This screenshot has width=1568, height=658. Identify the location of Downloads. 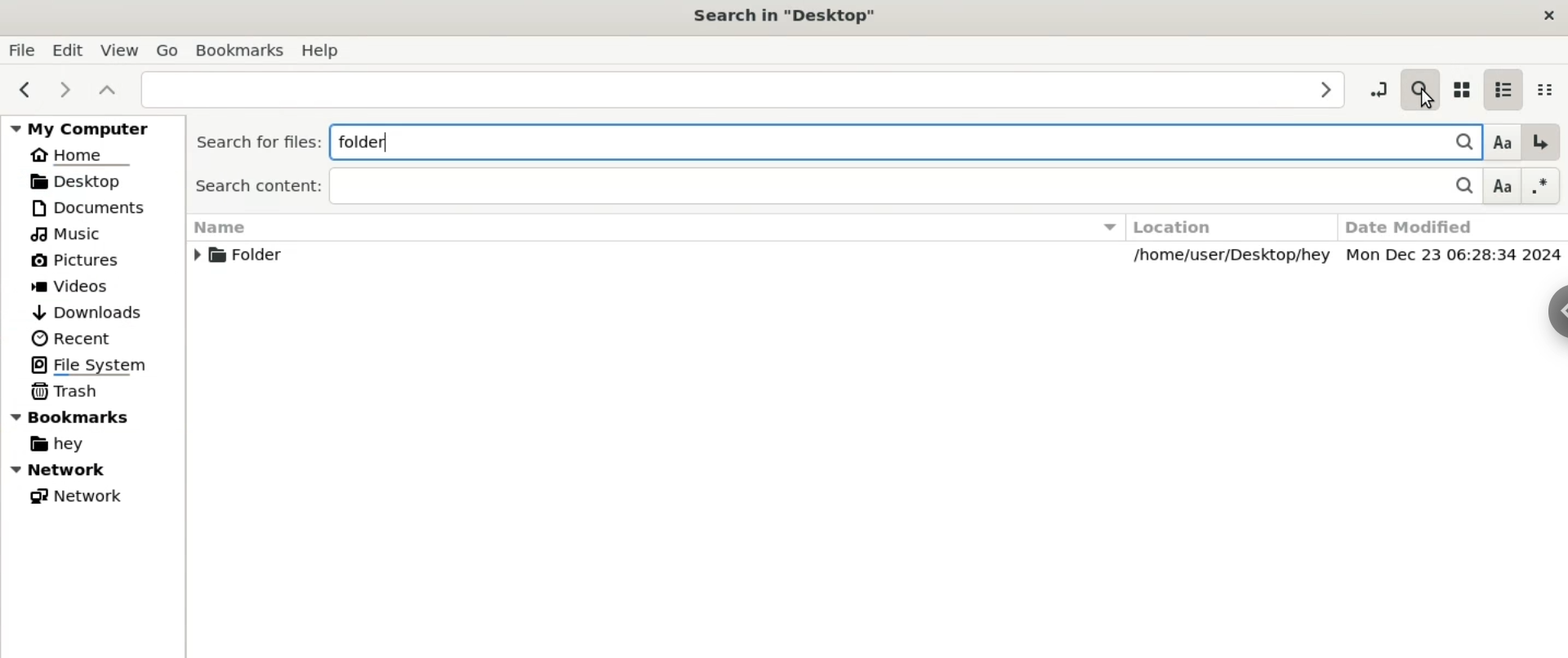
(91, 313).